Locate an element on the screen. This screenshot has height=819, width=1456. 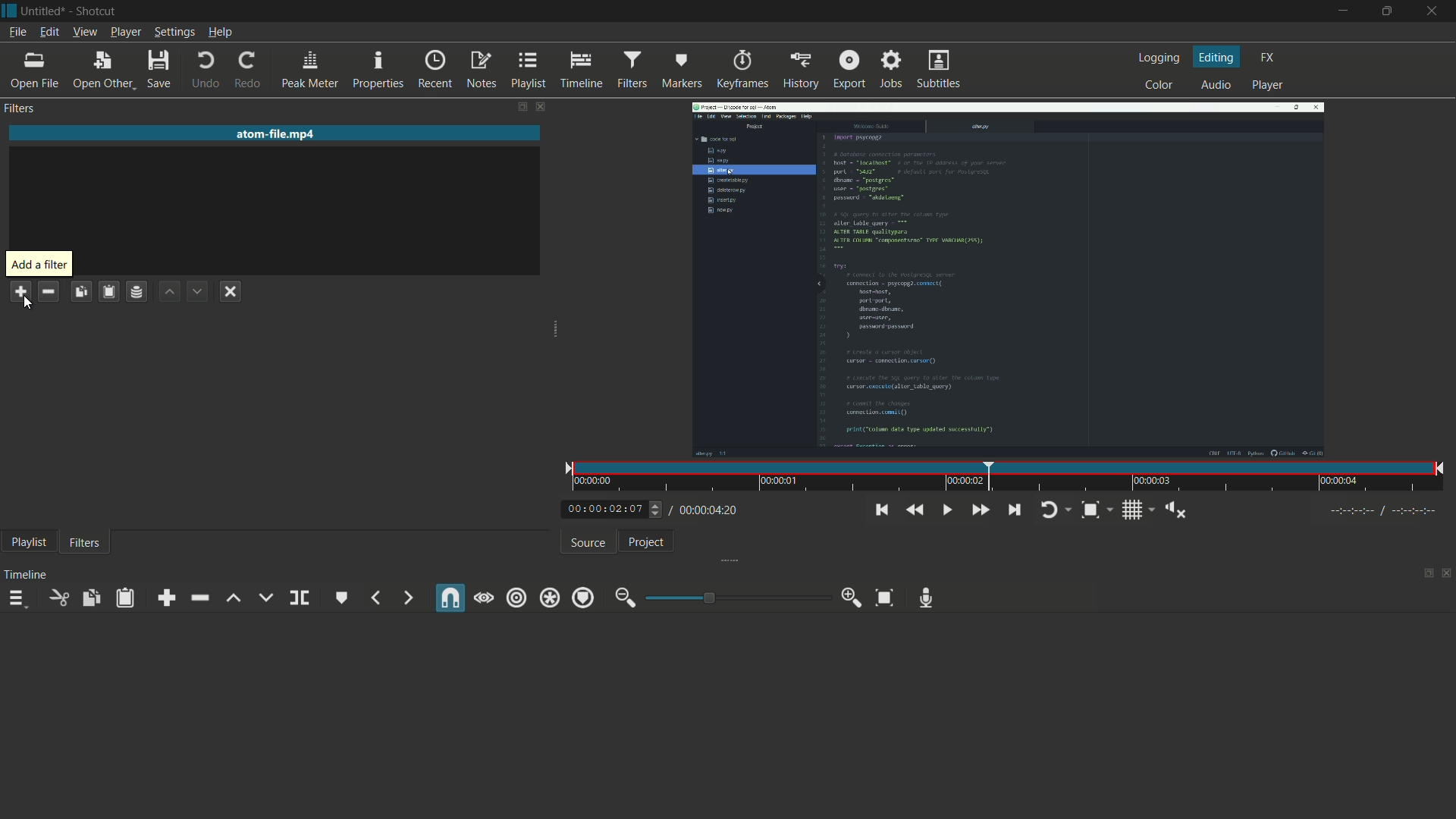
move filter up is located at coordinates (168, 292).